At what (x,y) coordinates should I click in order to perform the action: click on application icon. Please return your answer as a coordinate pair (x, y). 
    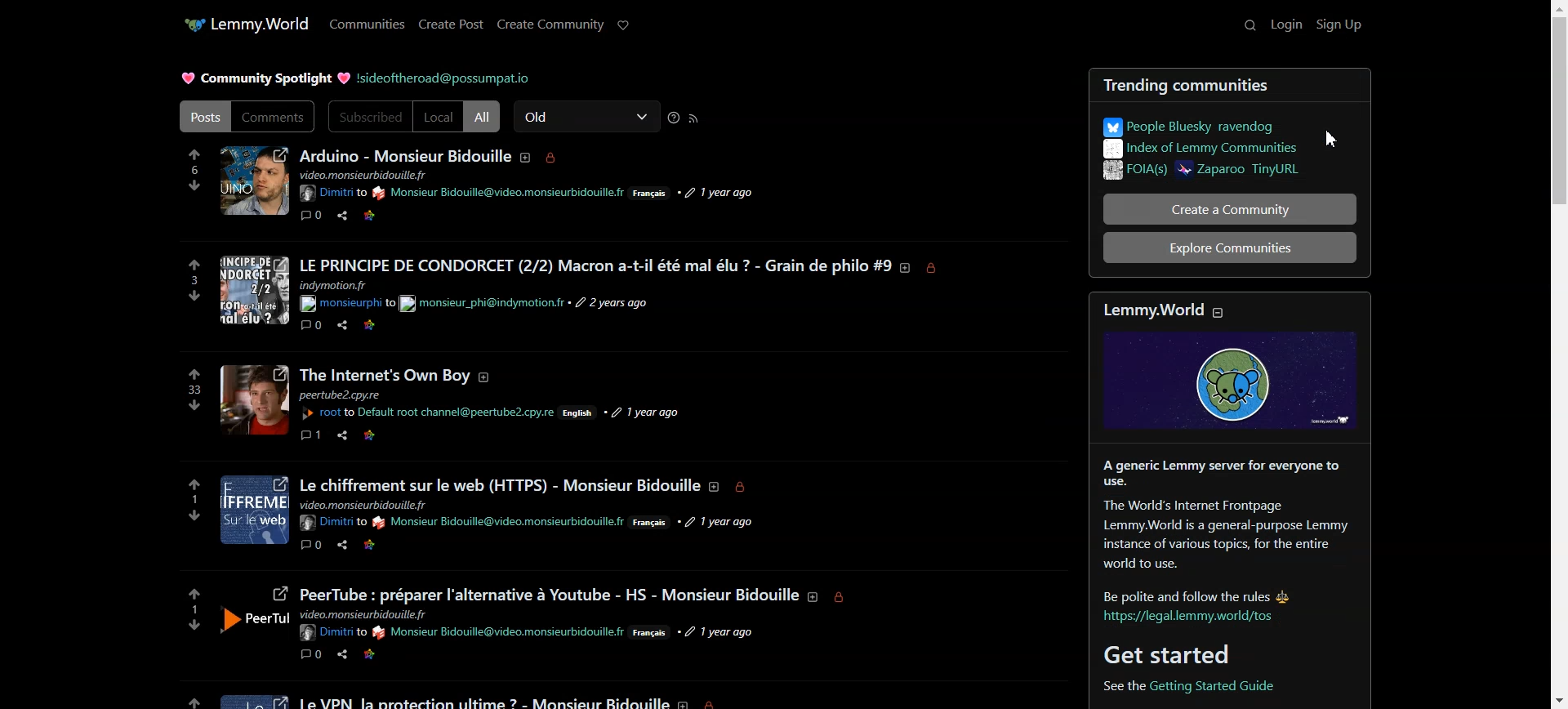
    Looking at the image, I should click on (190, 25).